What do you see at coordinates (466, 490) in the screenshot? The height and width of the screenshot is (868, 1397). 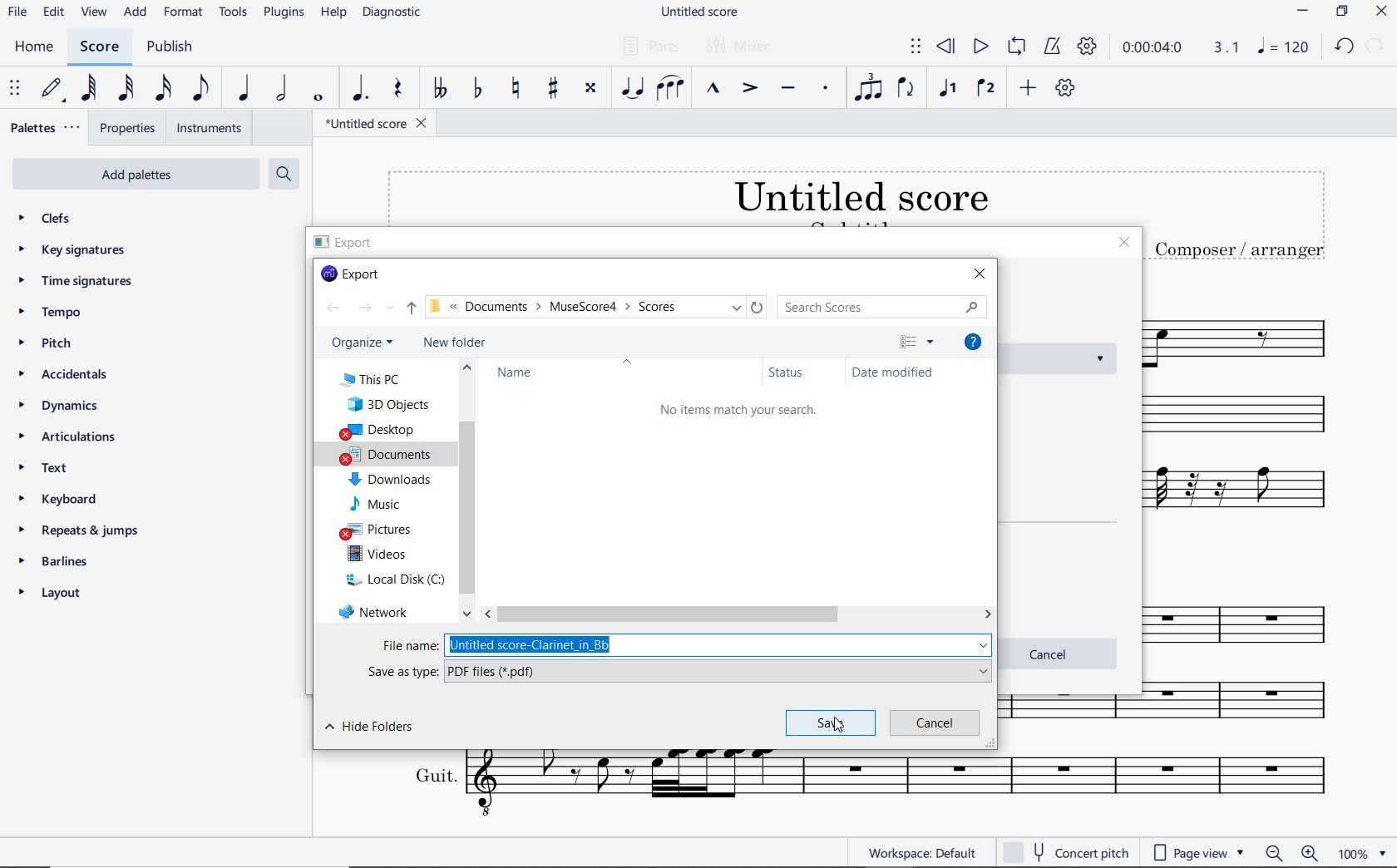 I see `SCROLLBAR` at bounding box center [466, 490].